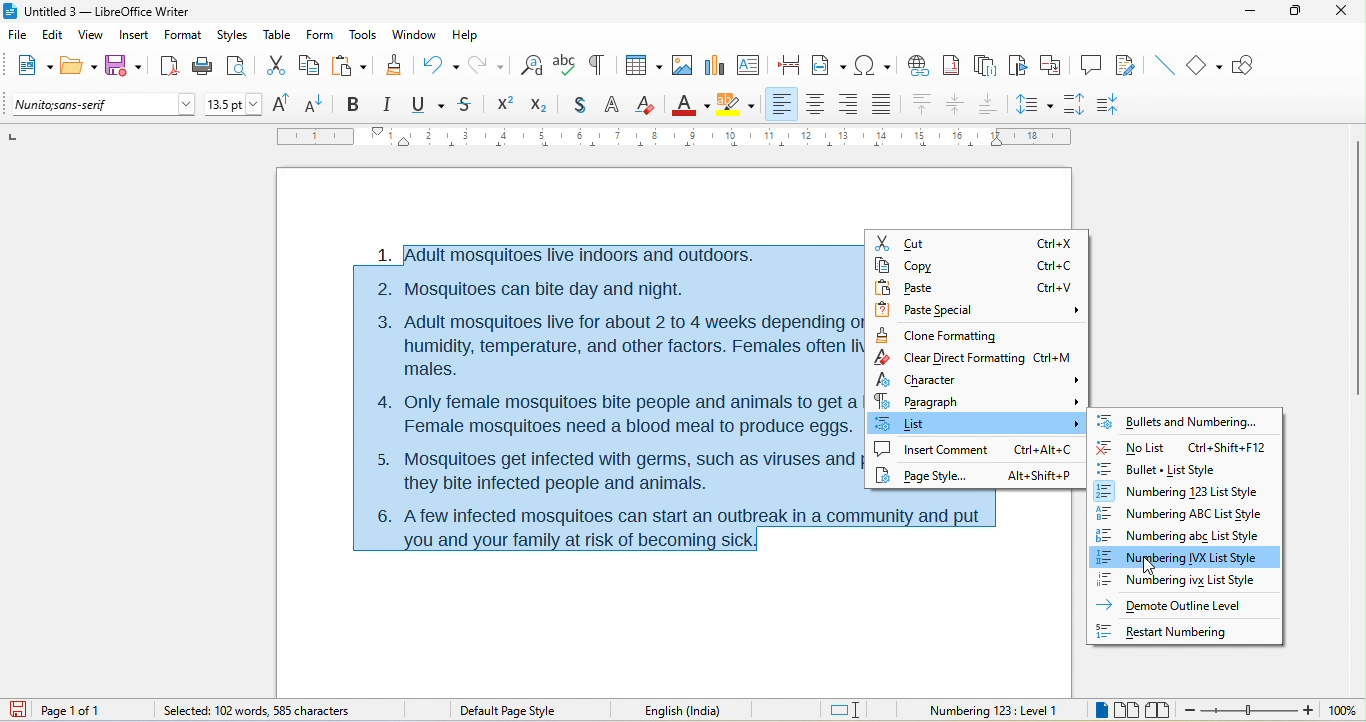 The image size is (1366, 722). What do you see at coordinates (970, 357) in the screenshot?
I see `clear Direct rormatuing Ltri=M` at bounding box center [970, 357].